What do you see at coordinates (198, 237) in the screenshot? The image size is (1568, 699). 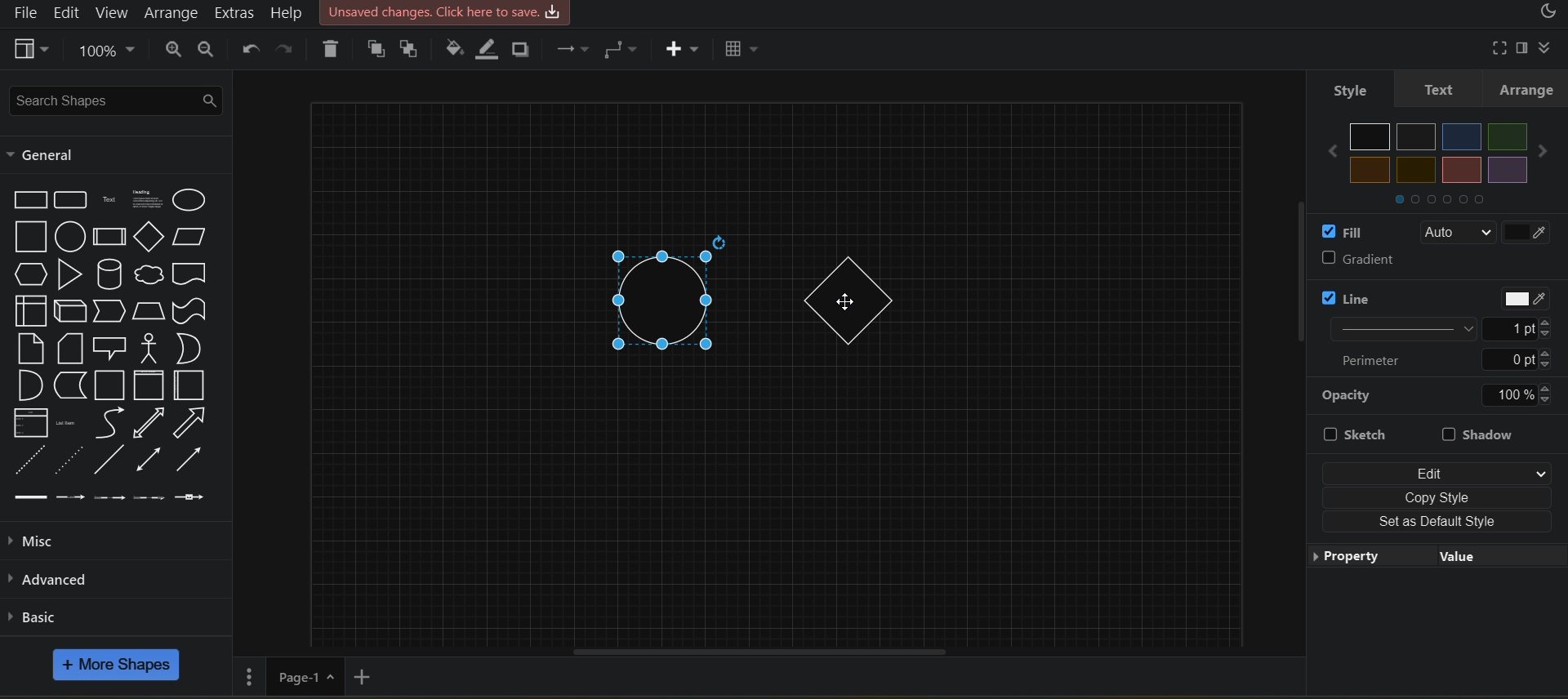 I see `Parallelogram` at bounding box center [198, 237].